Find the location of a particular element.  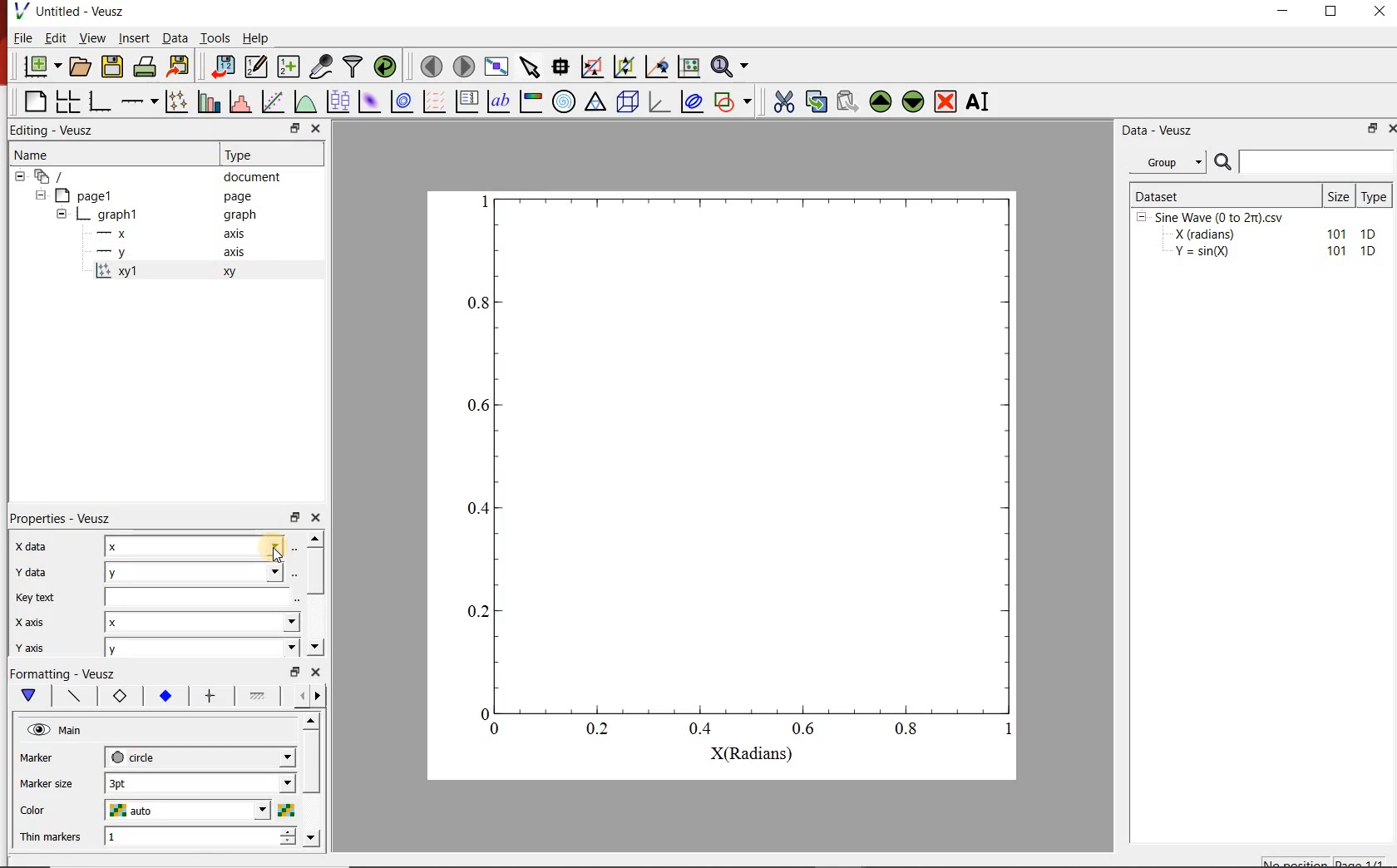

Help is located at coordinates (255, 38).